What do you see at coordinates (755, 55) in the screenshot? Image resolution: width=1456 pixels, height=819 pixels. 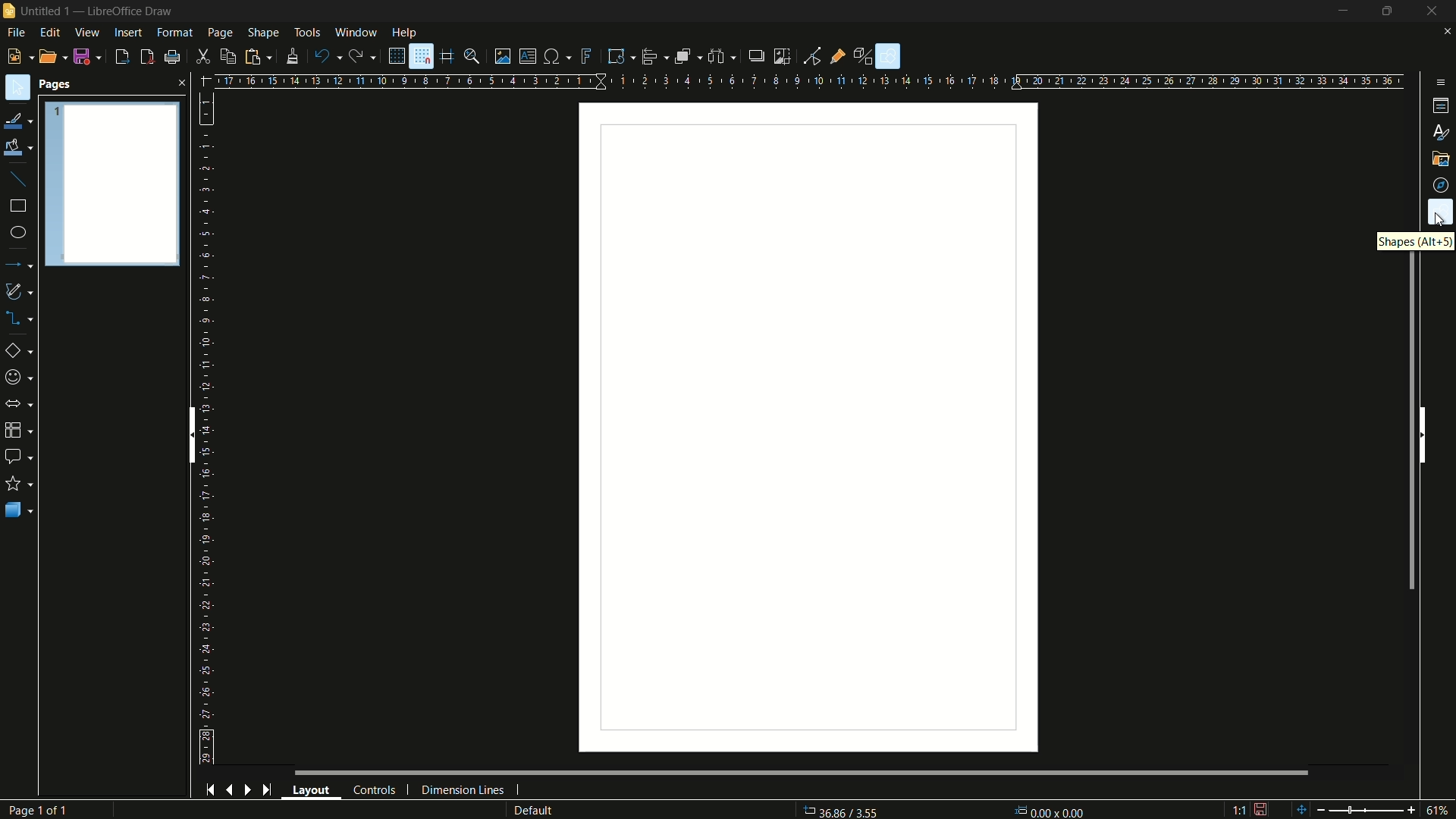 I see `shadow` at bounding box center [755, 55].